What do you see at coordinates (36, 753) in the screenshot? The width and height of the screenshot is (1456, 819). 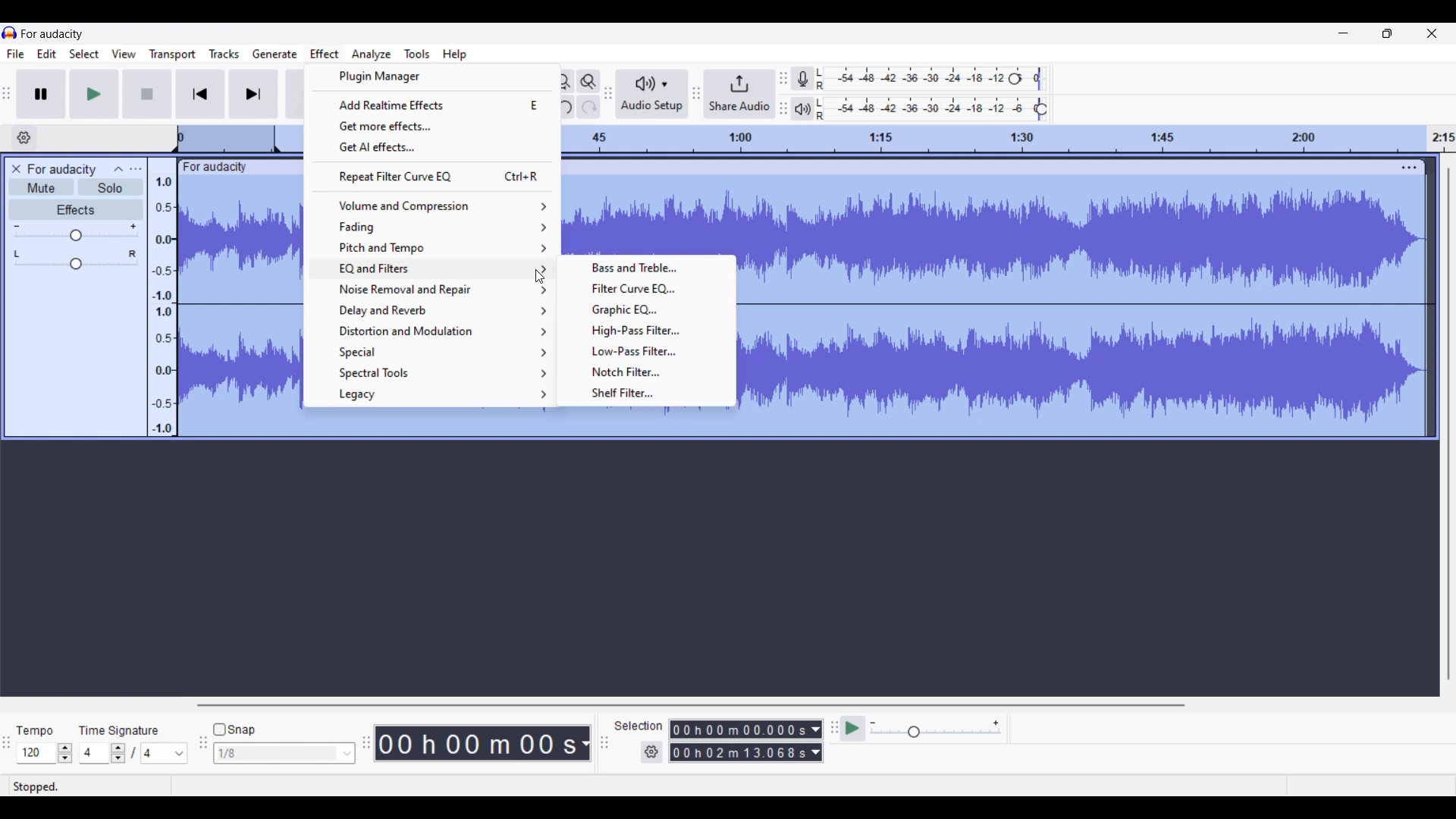 I see `Type in tempo` at bounding box center [36, 753].